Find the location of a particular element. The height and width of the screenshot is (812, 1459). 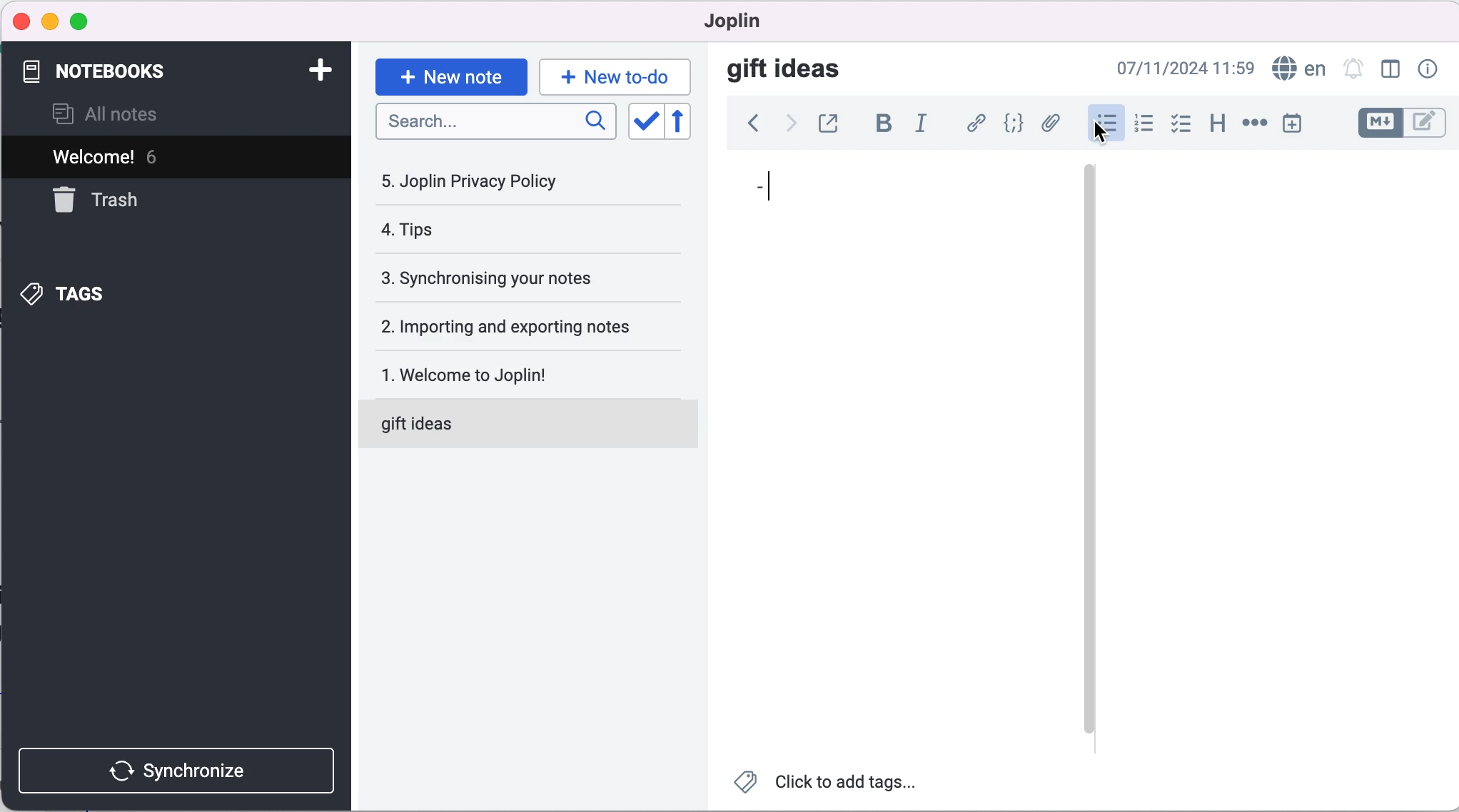

new note is located at coordinates (450, 73).